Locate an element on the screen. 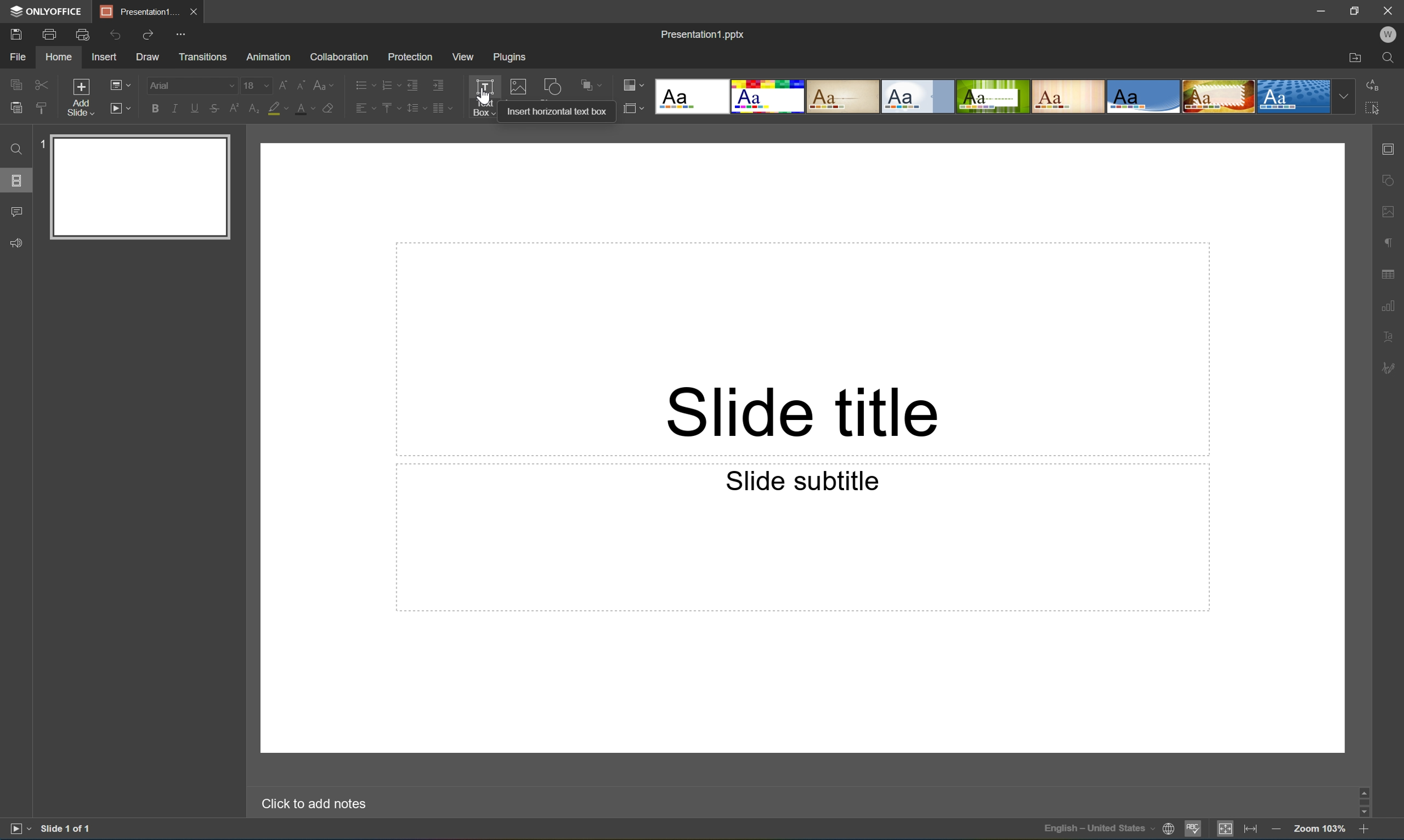 The height and width of the screenshot is (840, 1404). Subscript is located at coordinates (252, 109).